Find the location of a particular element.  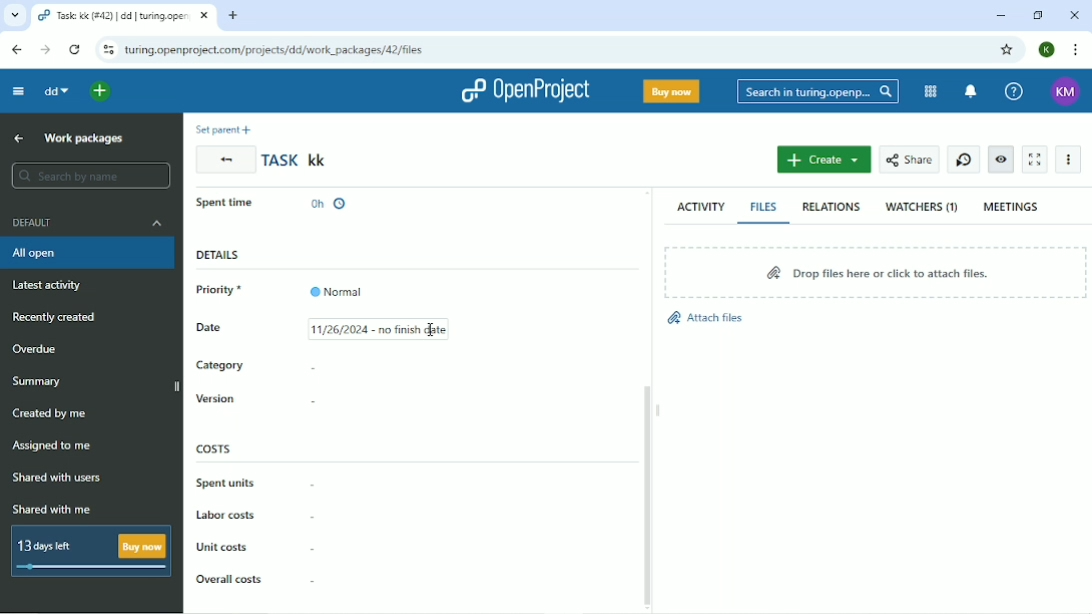

Buy now is located at coordinates (671, 91).